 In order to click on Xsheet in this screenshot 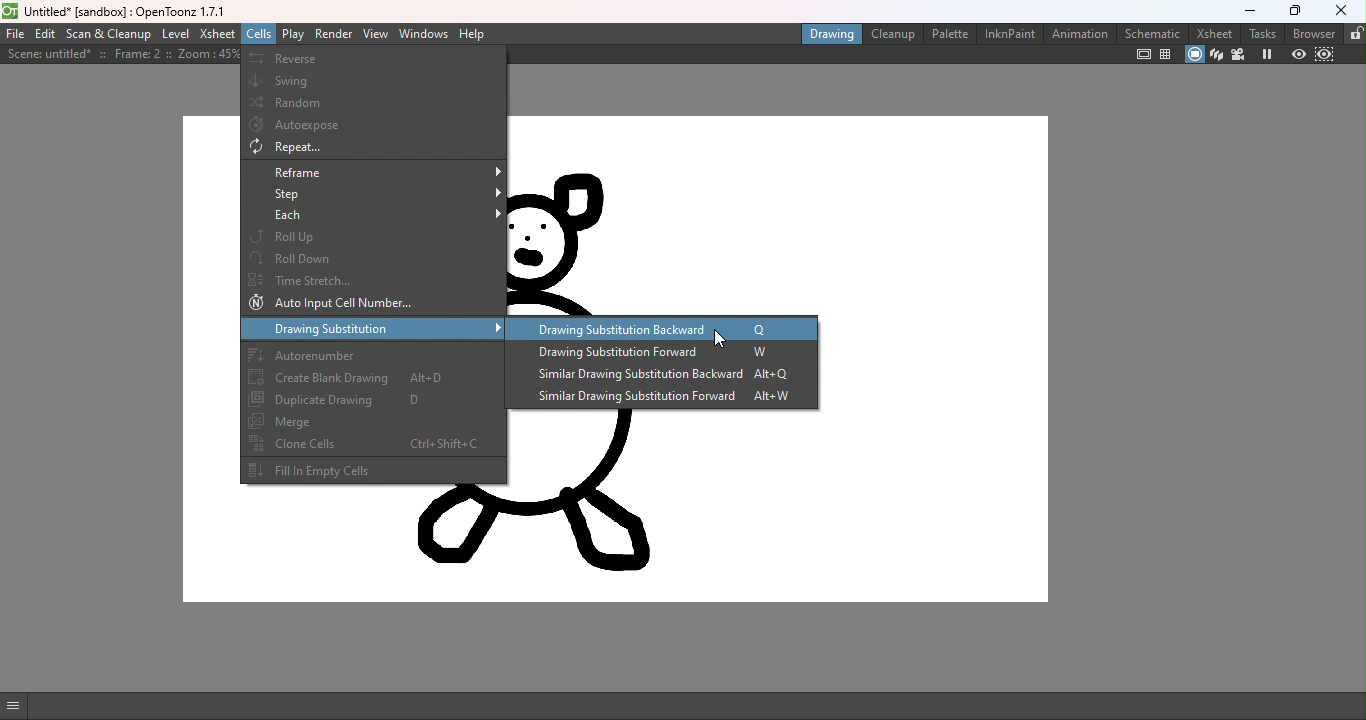, I will do `click(1213, 32)`.